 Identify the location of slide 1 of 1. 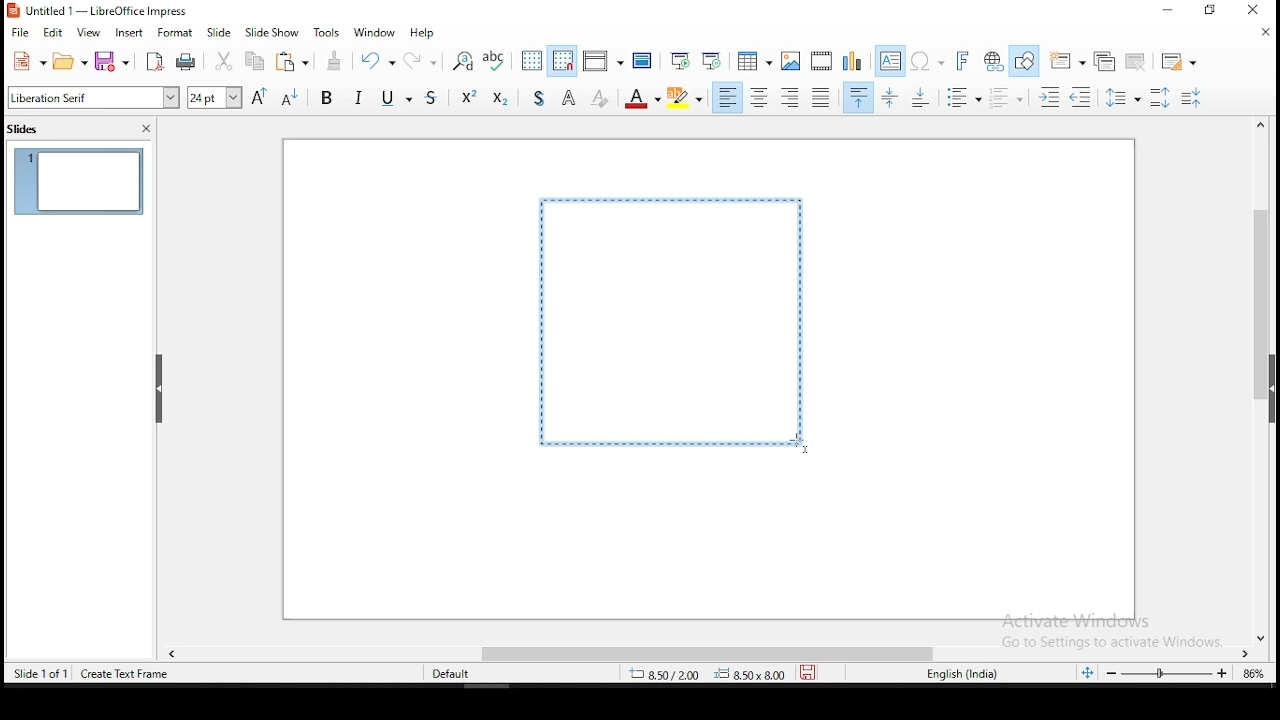
(46, 676).